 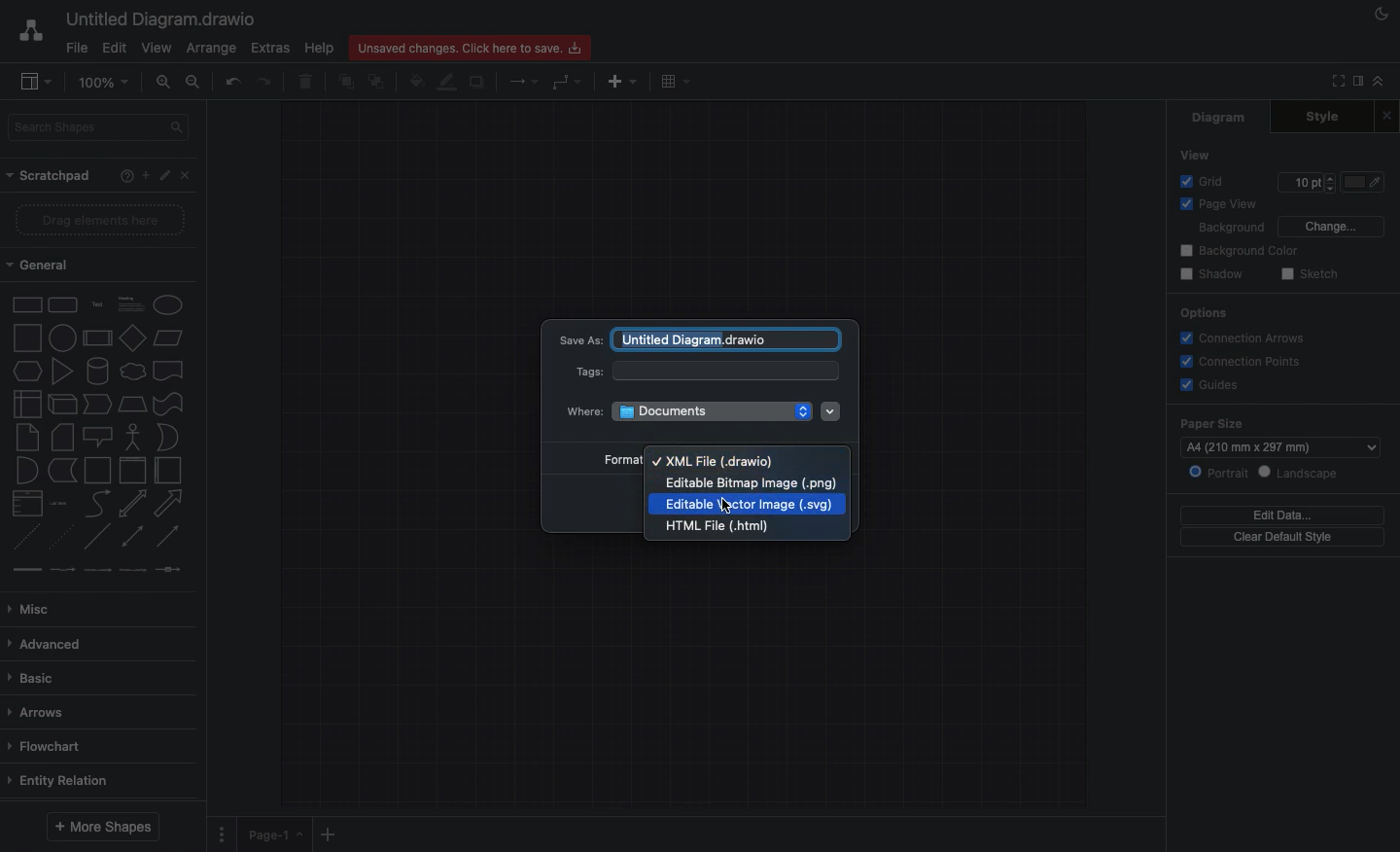 I want to click on XML File, so click(x=721, y=460).